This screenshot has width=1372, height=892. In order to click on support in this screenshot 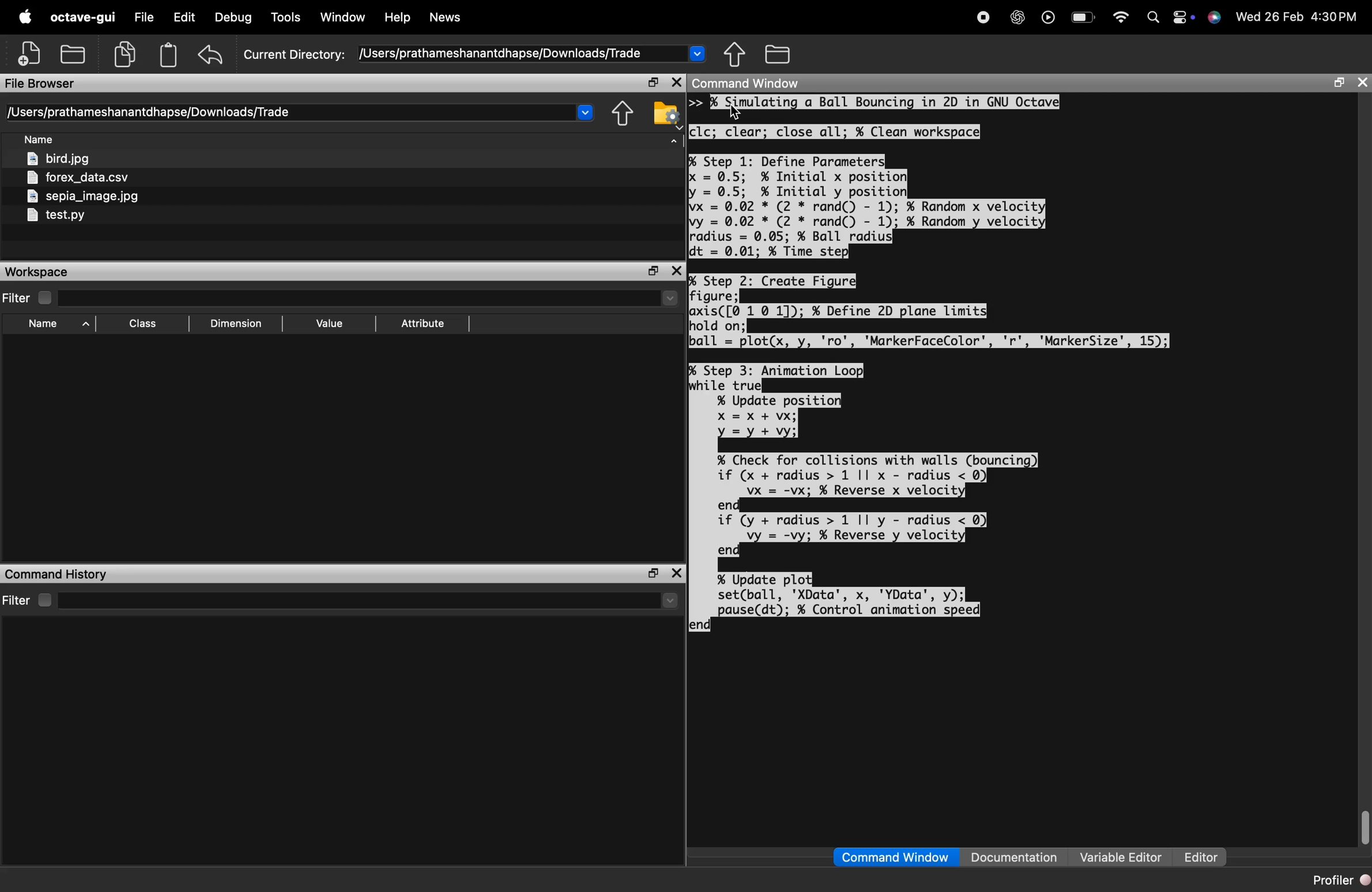, I will do `click(1215, 18)`.